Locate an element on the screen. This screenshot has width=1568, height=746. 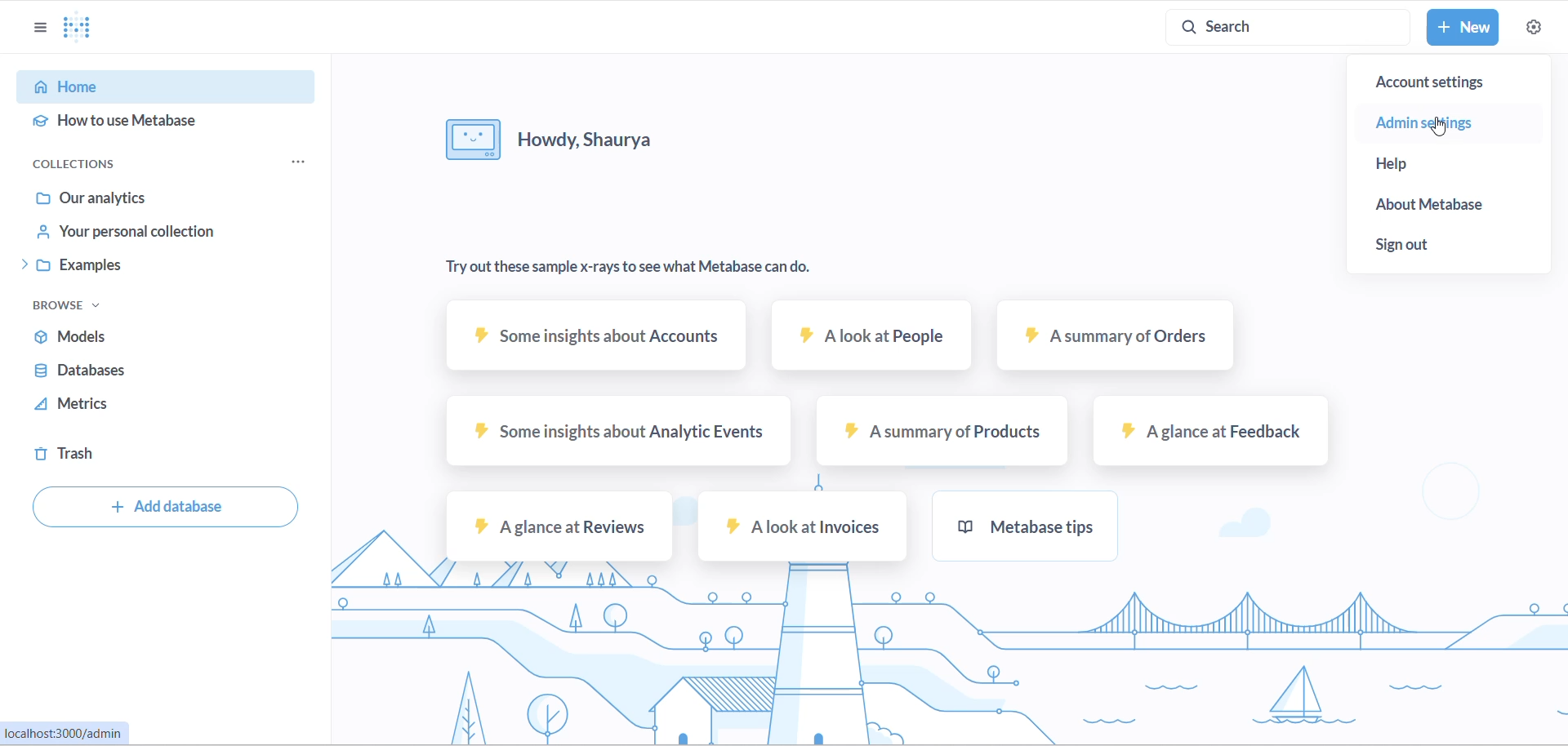
account setting is located at coordinates (1447, 82).